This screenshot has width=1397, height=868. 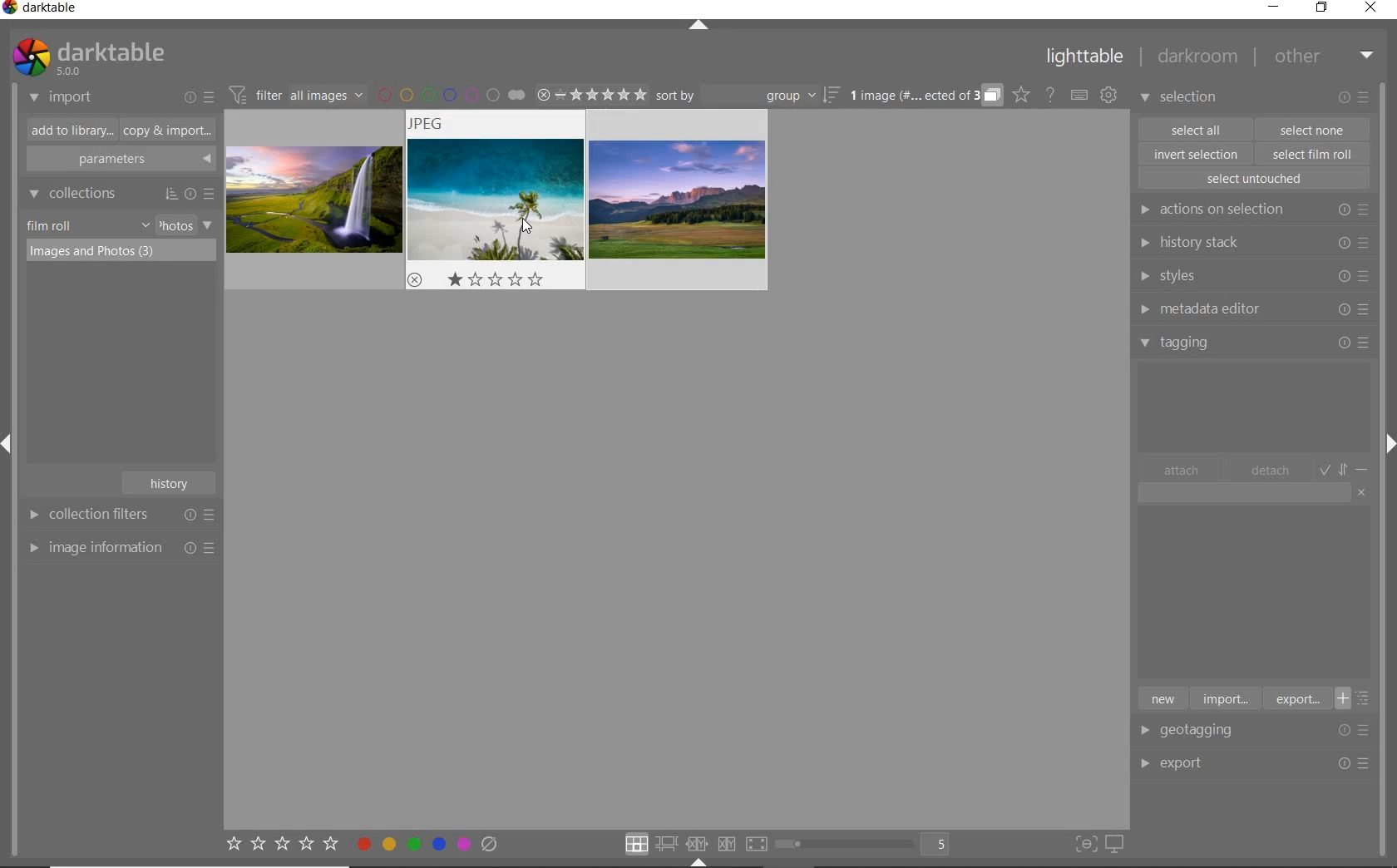 I want to click on close, so click(x=1374, y=9).